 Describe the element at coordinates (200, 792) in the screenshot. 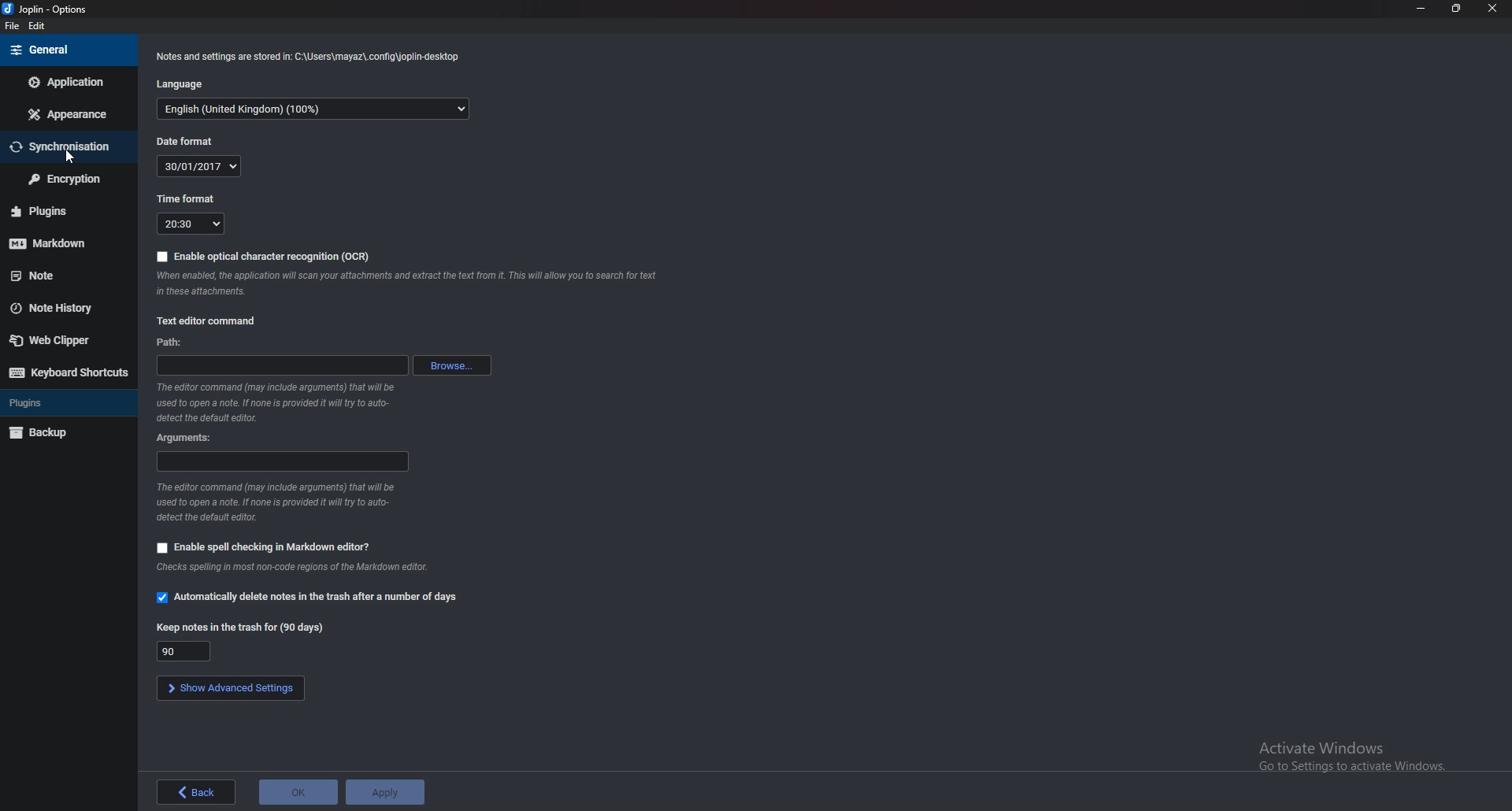

I see `back` at that location.